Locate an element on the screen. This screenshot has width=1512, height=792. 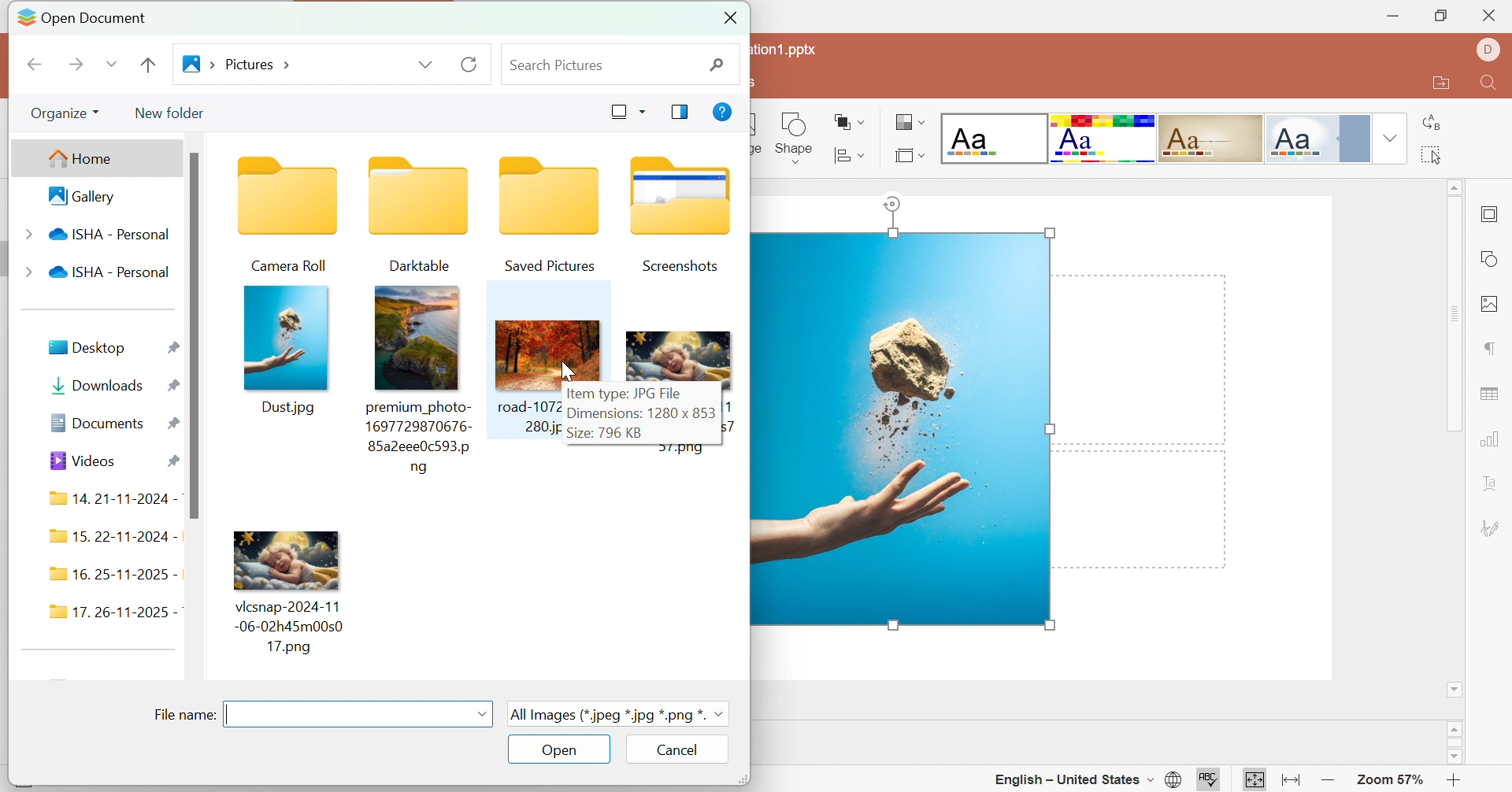
Size: 796 KB is located at coordinates (608, 433).